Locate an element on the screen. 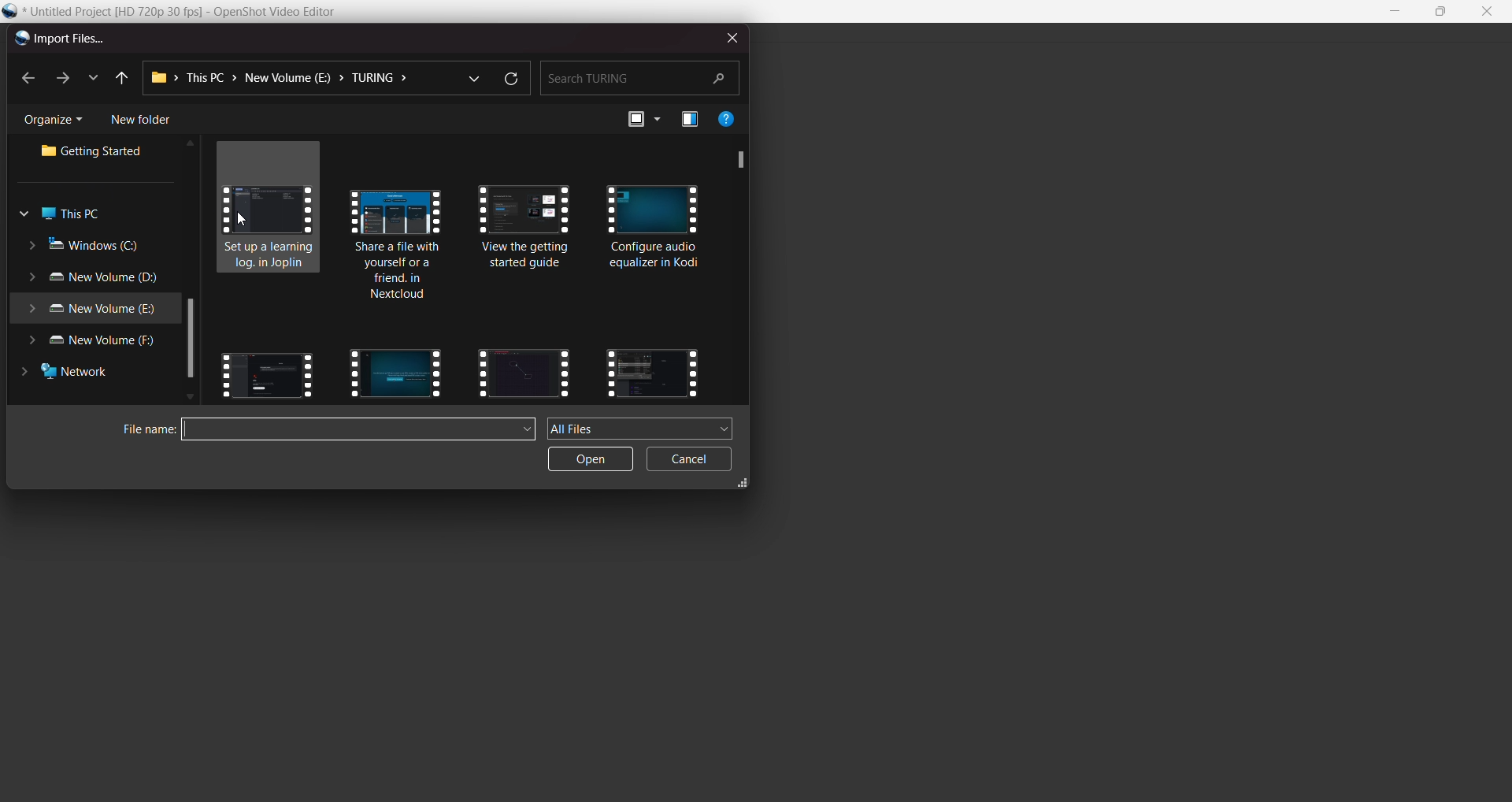 The width and height of the screenshot is (1512, 802). dropdown is located at coordinates (472, 76).